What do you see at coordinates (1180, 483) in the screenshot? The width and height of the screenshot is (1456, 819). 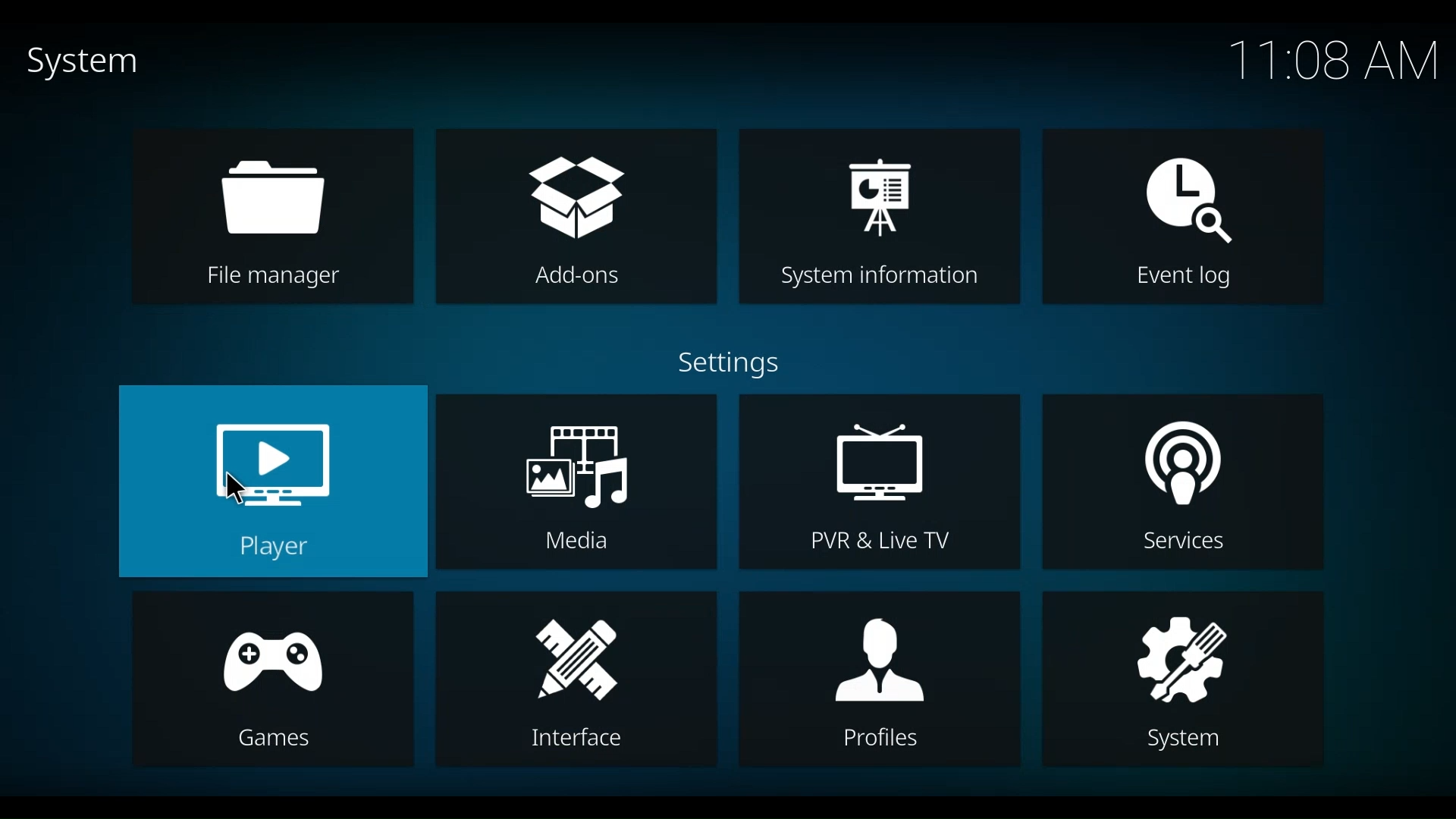 I see `Services` at bounding box center [1180, 483].